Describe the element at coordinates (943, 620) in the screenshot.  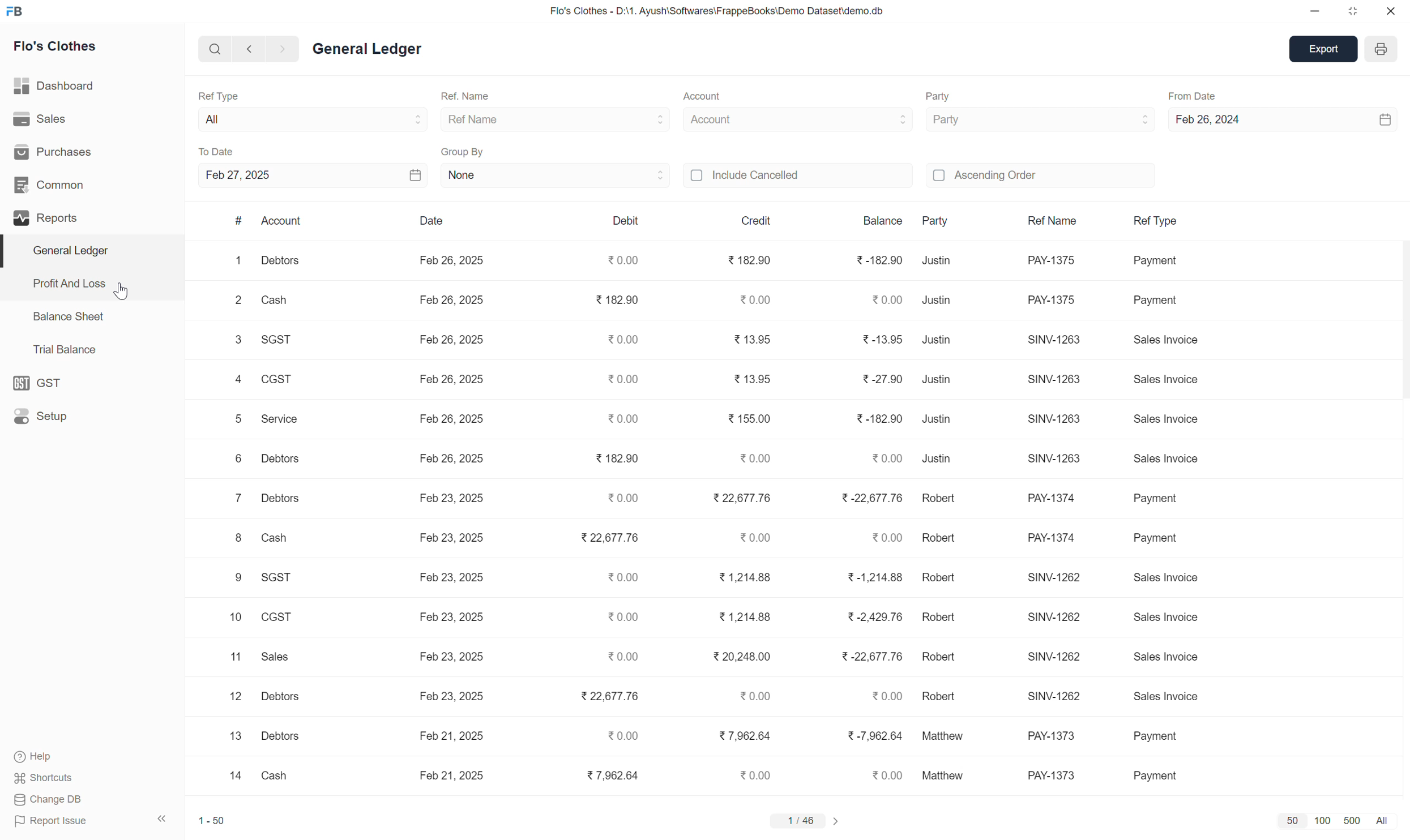
I see `Robert` at that location.